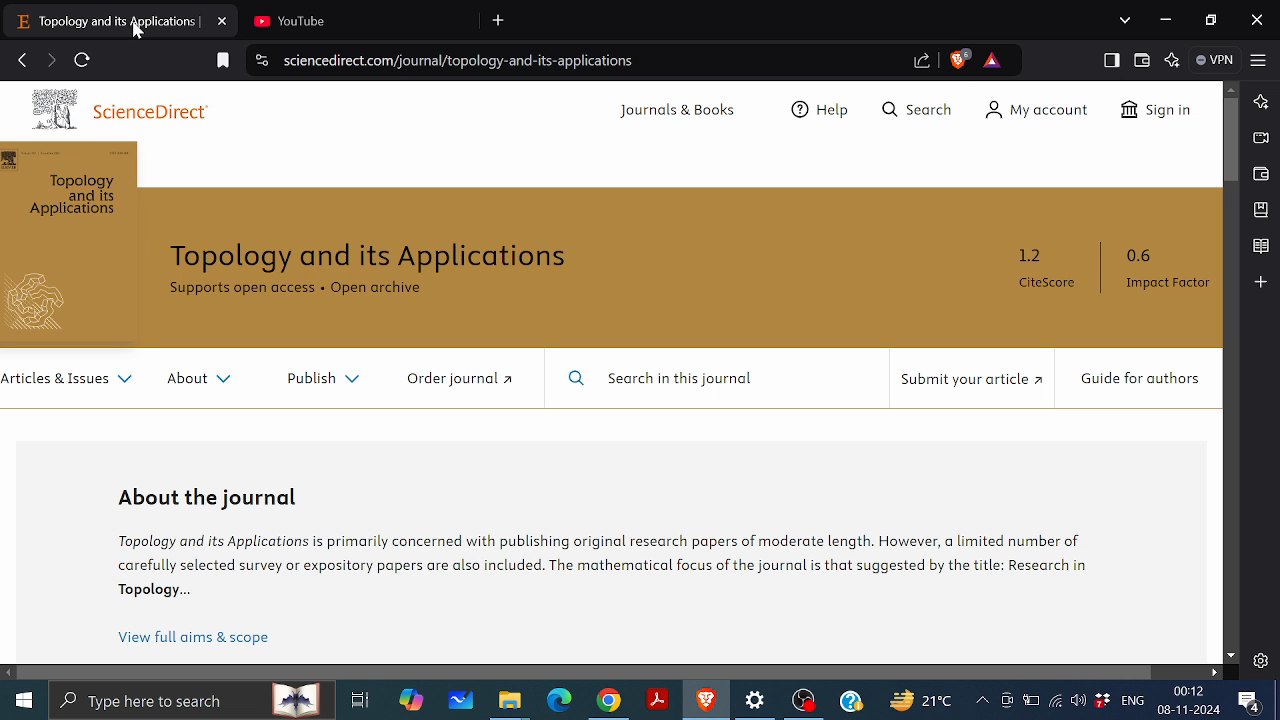 Image resolution: width=1280 pixels, height=720 pixels. Describe the element at coordinates (1260, 660) in the screenshot. I see `Settings` at that location.